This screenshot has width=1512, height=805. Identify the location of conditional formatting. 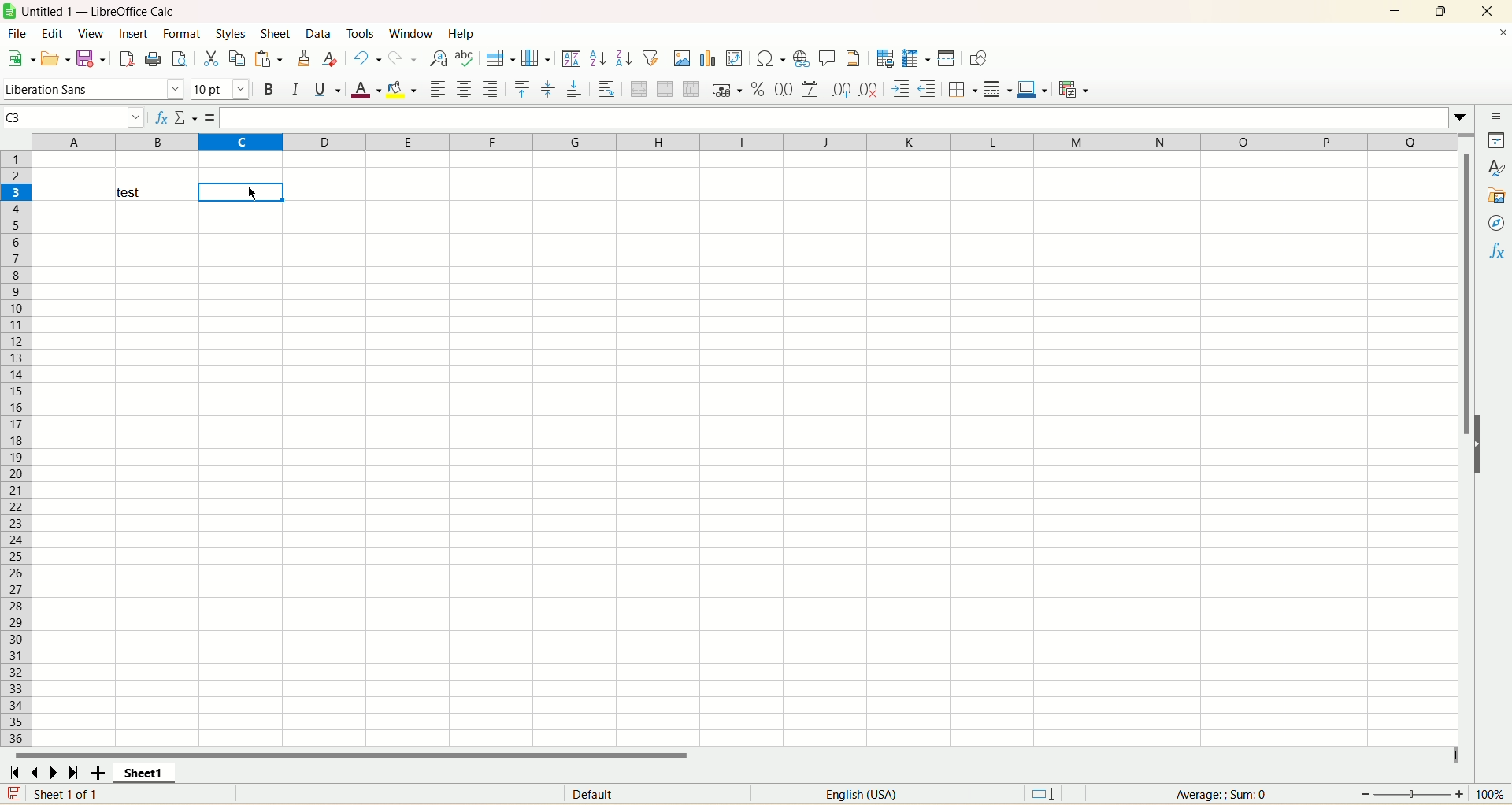
(1074, 89).